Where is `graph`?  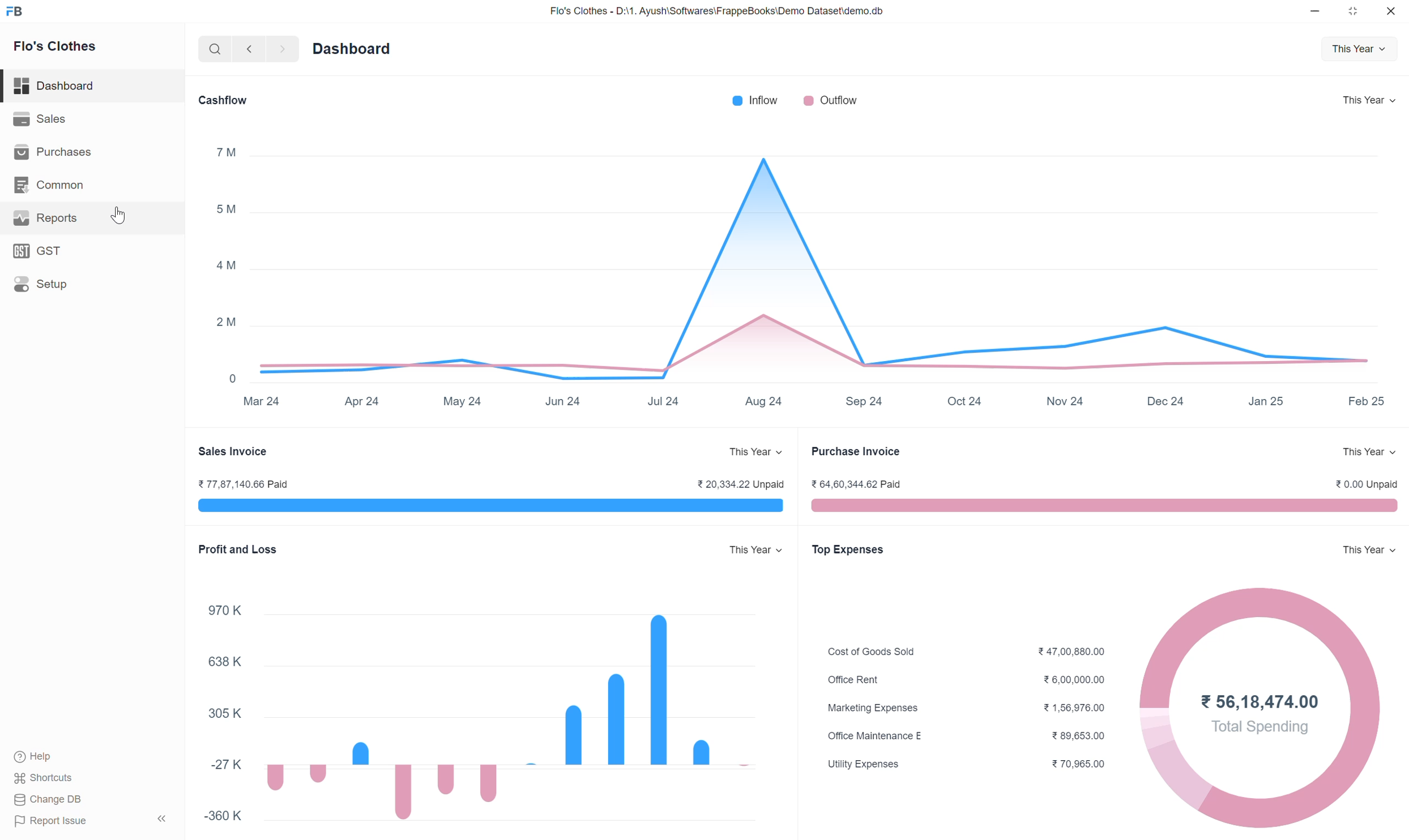
graph is located at coordinates (1265, 707).